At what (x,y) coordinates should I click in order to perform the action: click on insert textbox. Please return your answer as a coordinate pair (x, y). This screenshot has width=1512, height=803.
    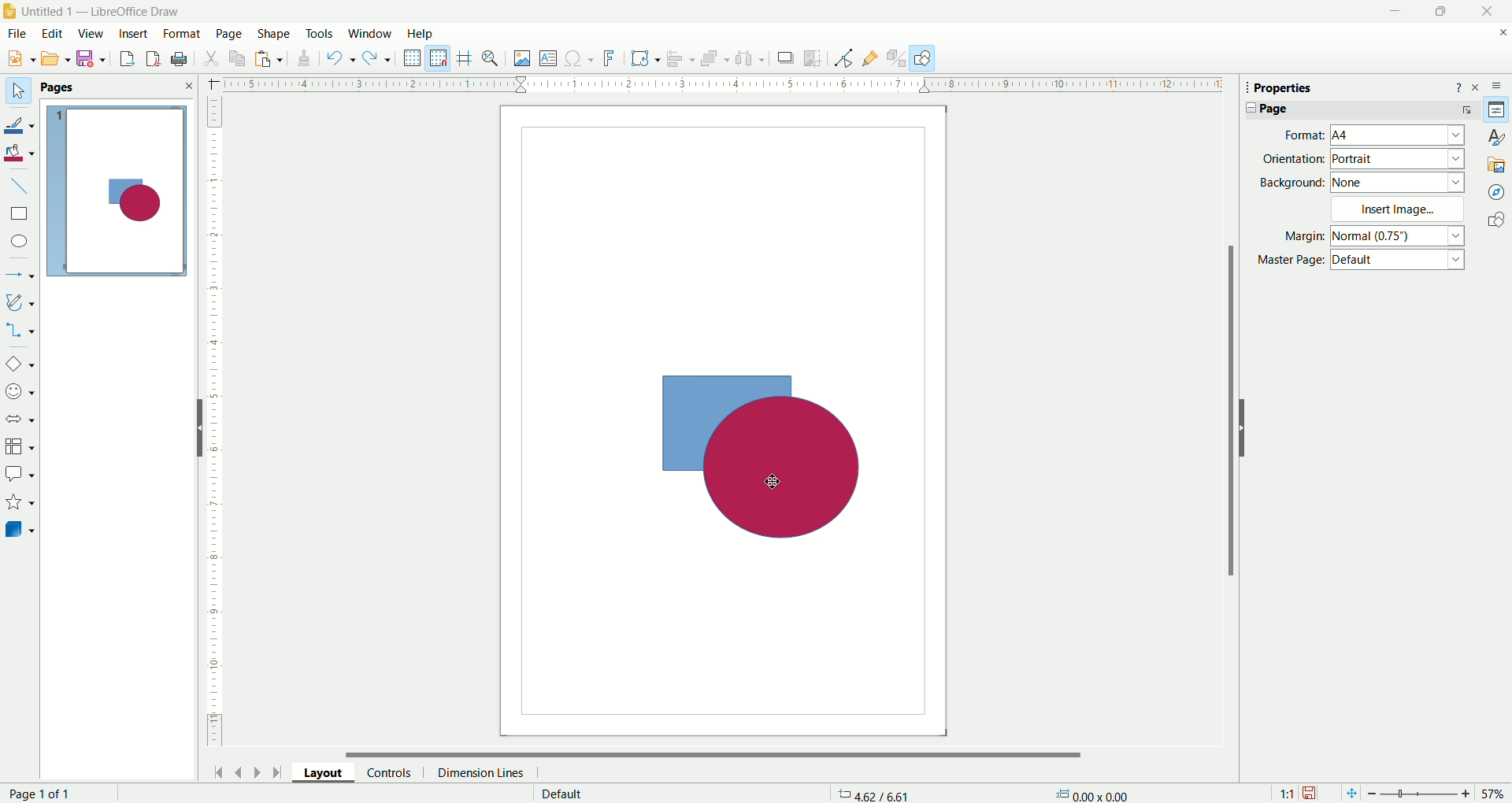
    Looking at the image, I should click on (547, 58).